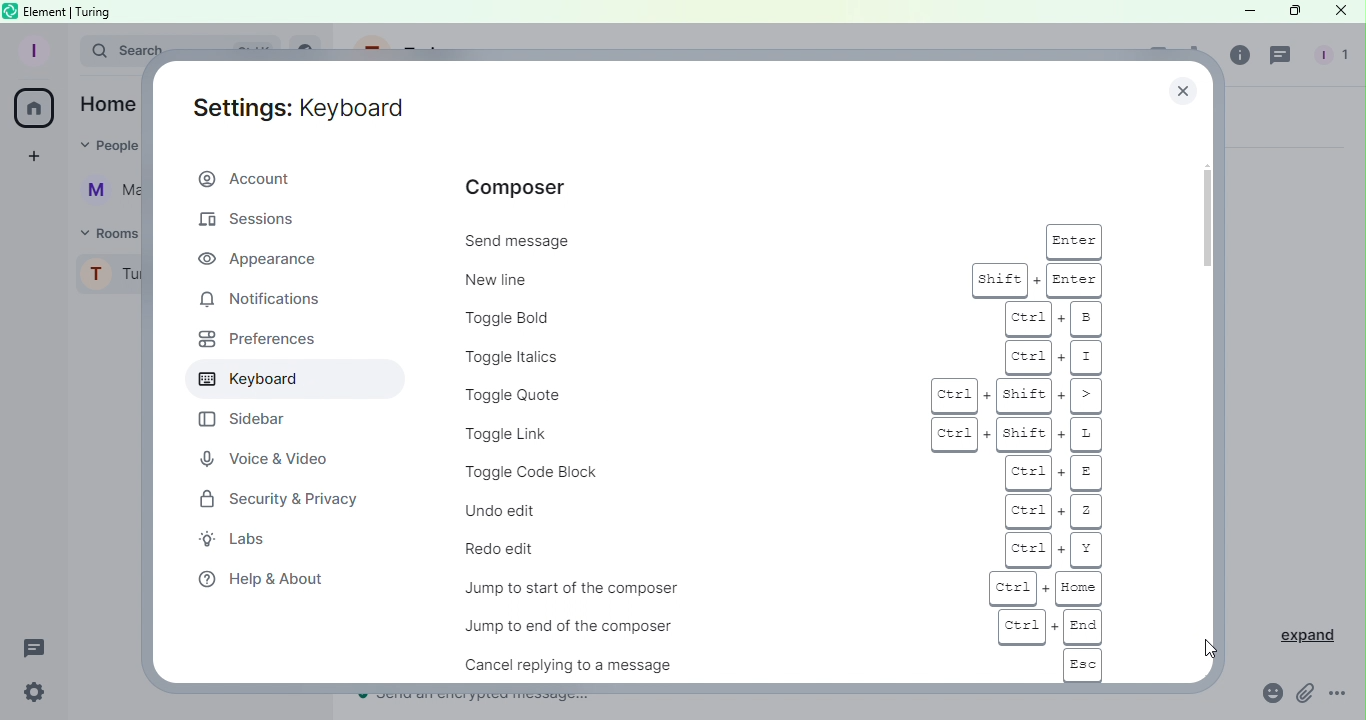 The height and width of the screenshot is (720, 1366). Describe the element at coordinates (1021, 433) in the screenshot. I see `ctrl + shift + L` at that location.